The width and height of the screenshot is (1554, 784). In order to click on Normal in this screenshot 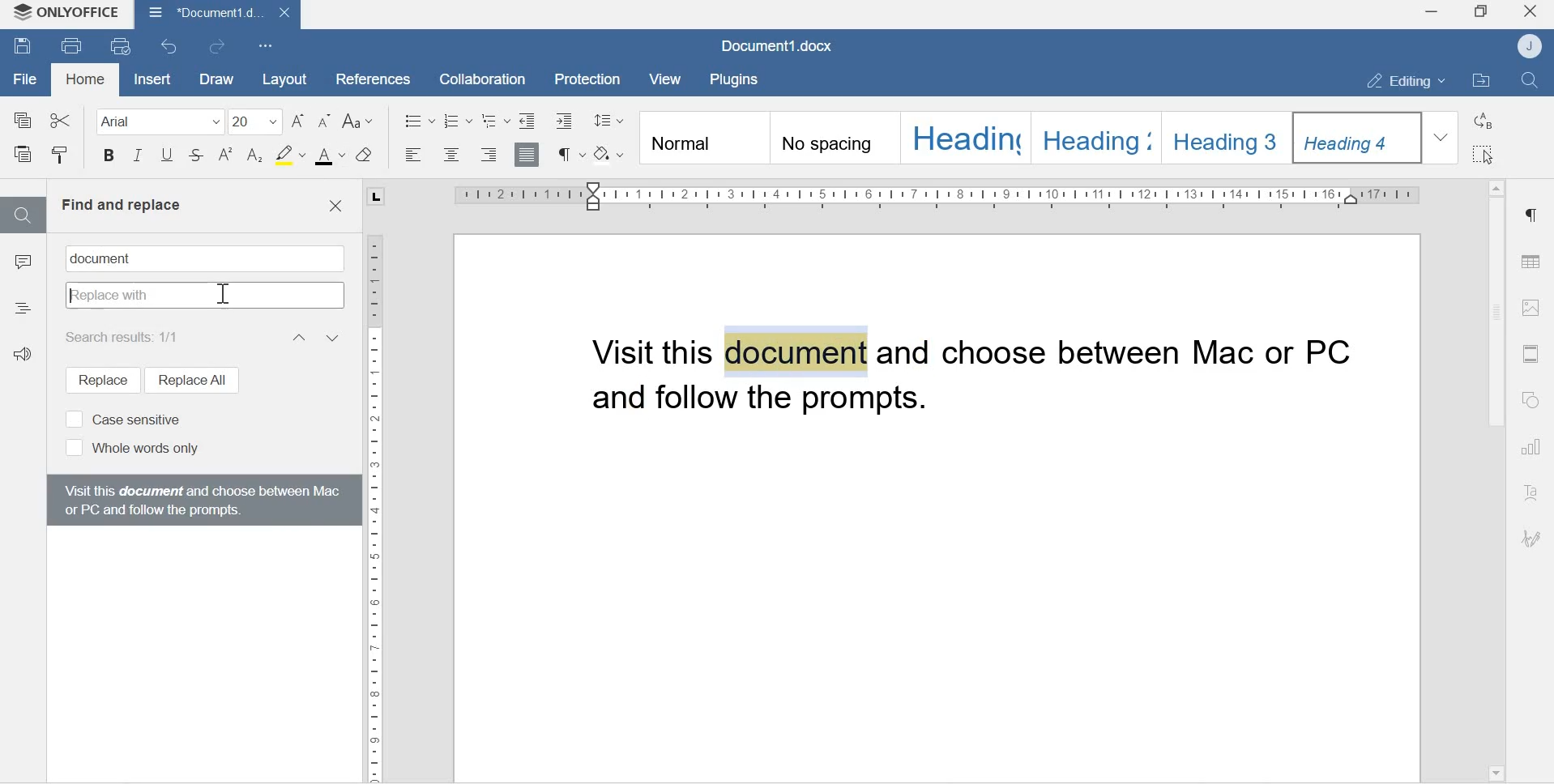, I will do `click(702, 139)`.